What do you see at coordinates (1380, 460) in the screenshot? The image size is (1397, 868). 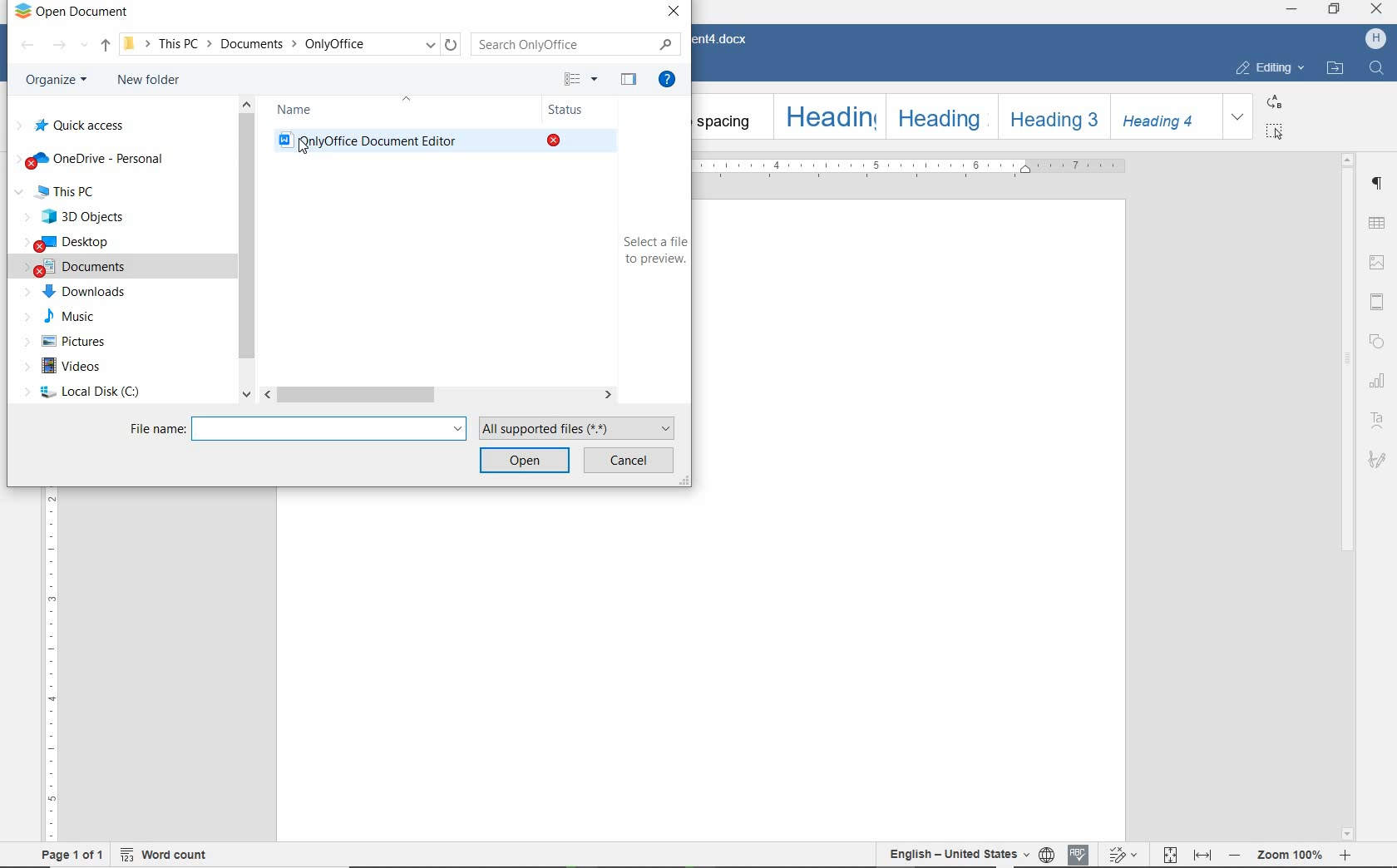 I see `Signature` at bounding box center [1380, 460].